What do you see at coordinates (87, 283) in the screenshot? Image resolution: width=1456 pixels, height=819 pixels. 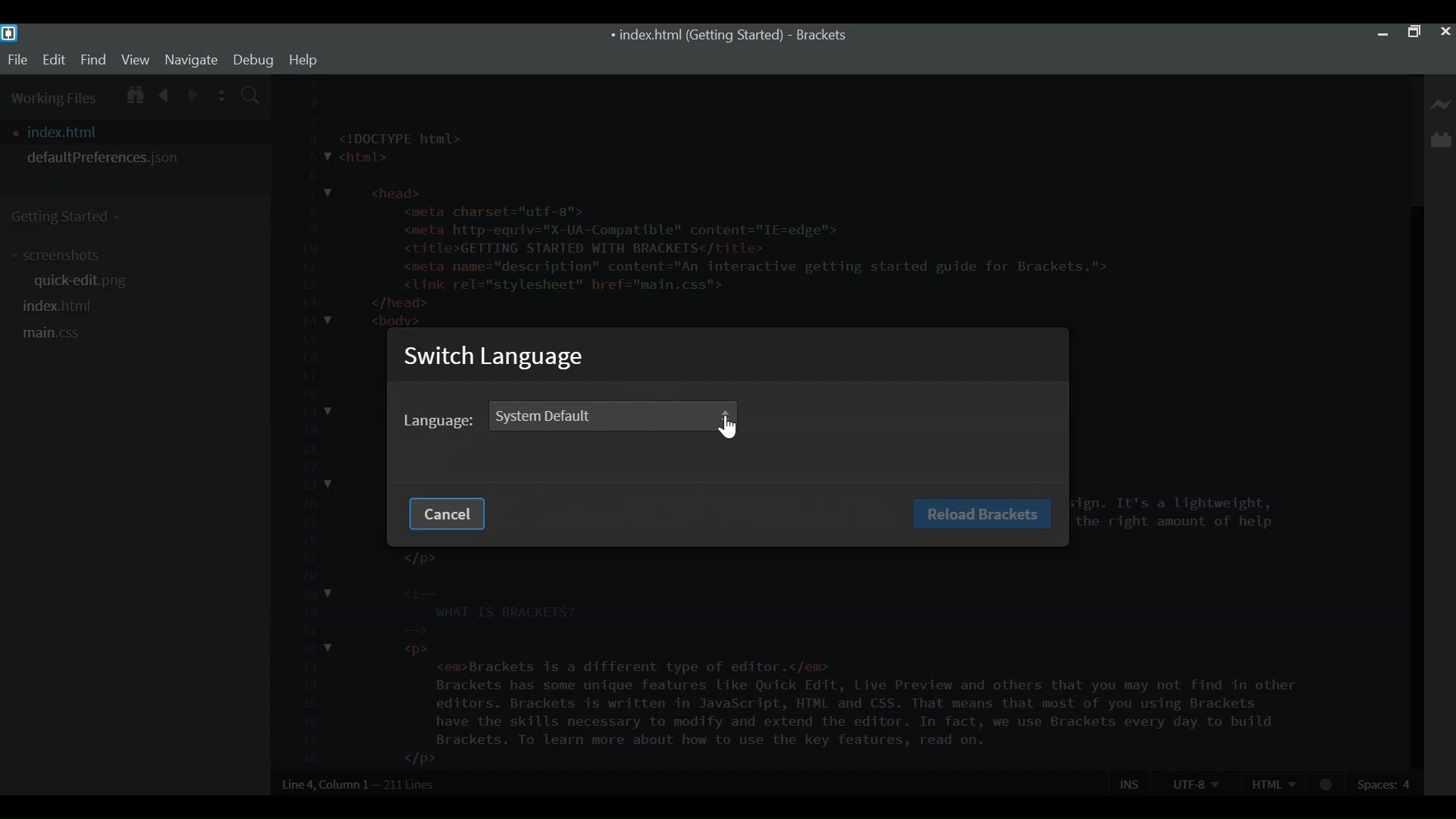 I see `quick-edit.png` at bounding box center [87, 283].